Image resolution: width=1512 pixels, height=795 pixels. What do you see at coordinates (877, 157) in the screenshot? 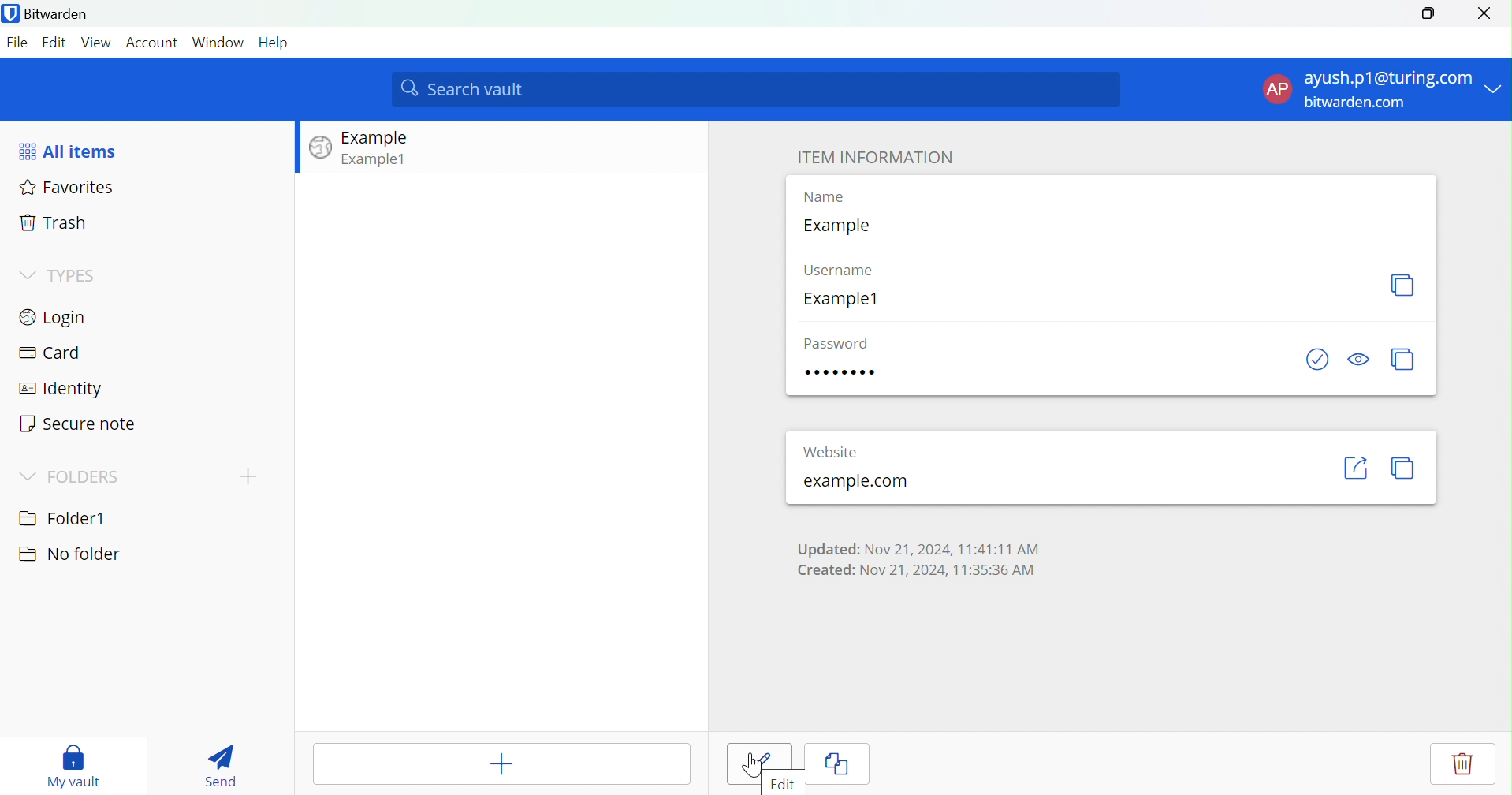
I see `ITEM INFORMATION` at bounding box center [877, 157].